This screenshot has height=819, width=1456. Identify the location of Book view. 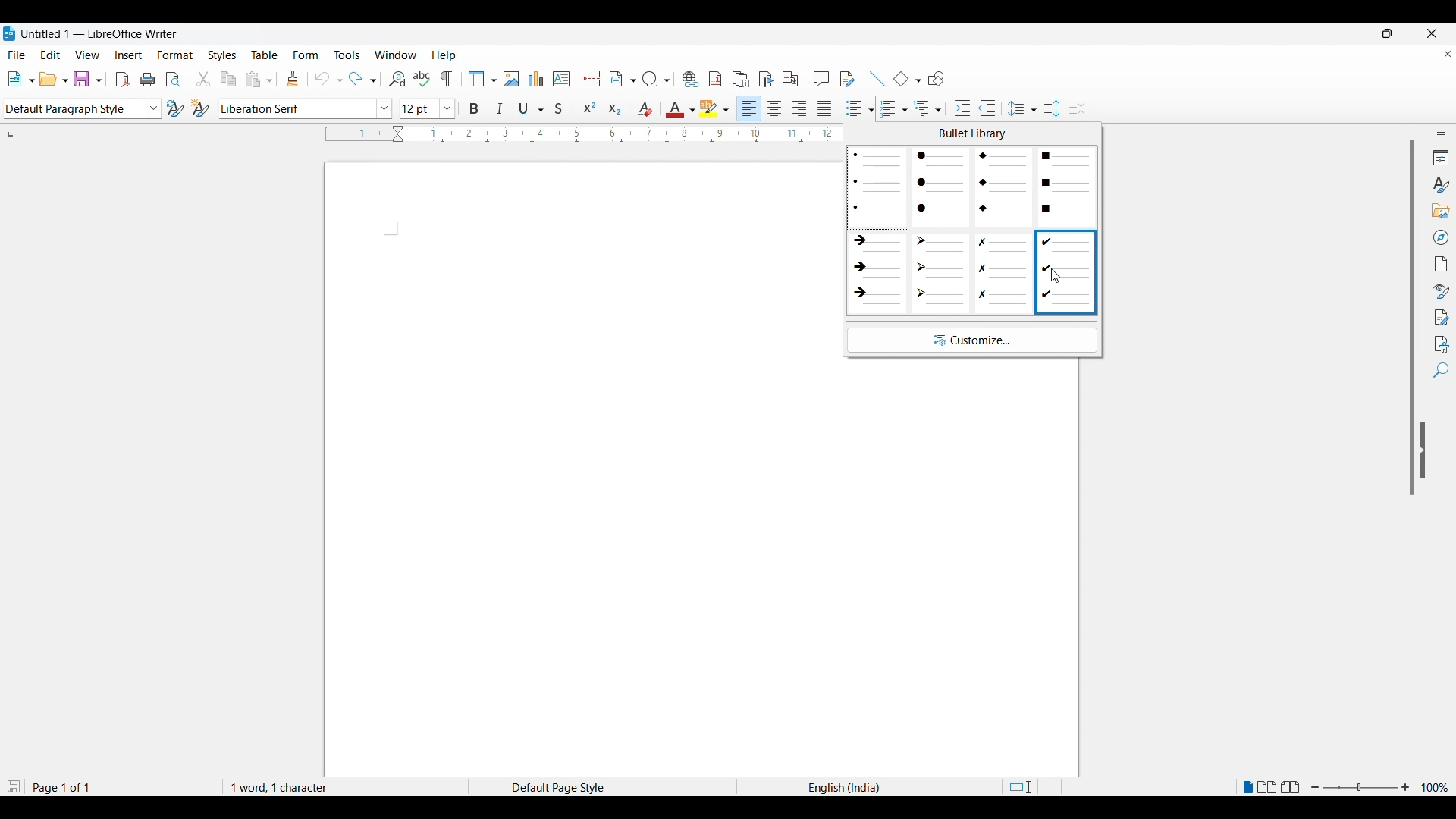
(1291, 786).